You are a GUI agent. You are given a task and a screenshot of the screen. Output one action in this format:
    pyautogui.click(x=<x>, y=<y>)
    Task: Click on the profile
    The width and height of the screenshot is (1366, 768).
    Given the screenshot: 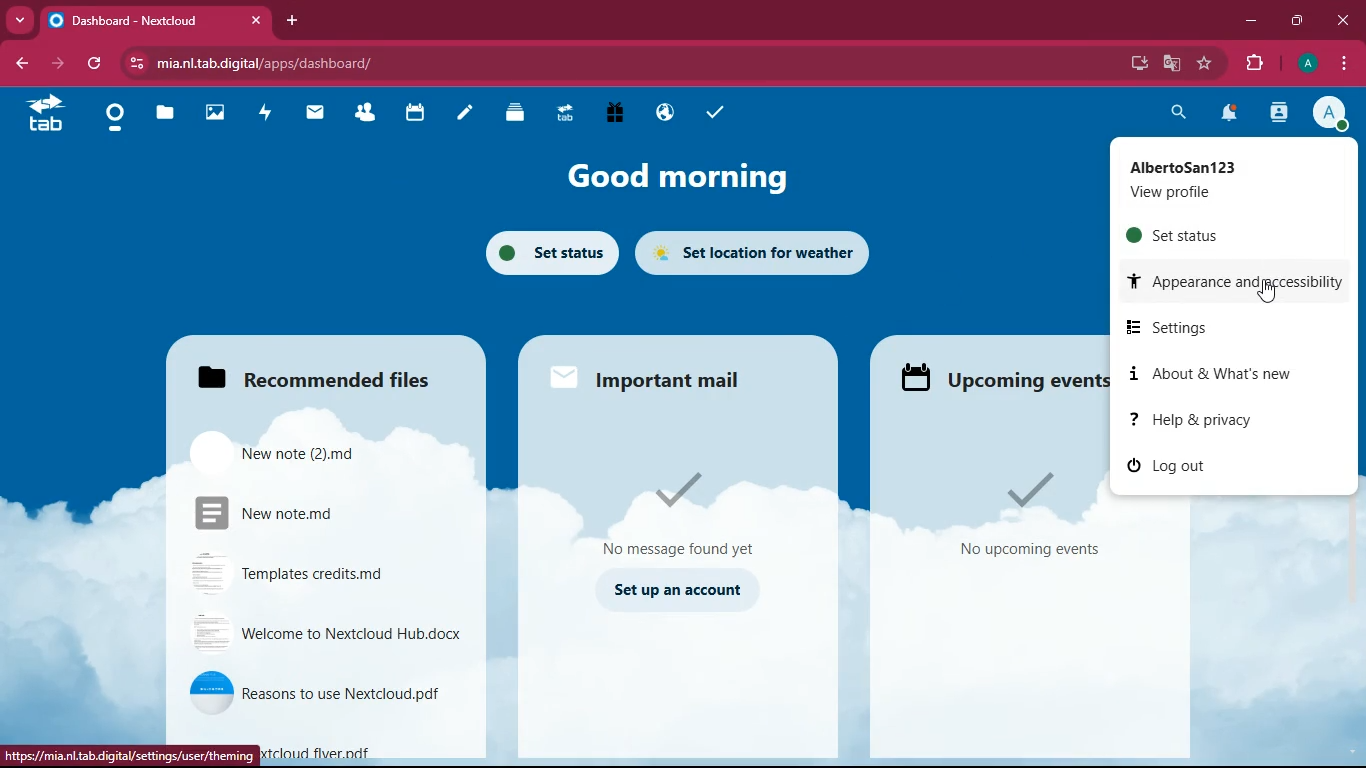 What is the action you would take?
    pyautogui.click(x=1227, y=177)
    